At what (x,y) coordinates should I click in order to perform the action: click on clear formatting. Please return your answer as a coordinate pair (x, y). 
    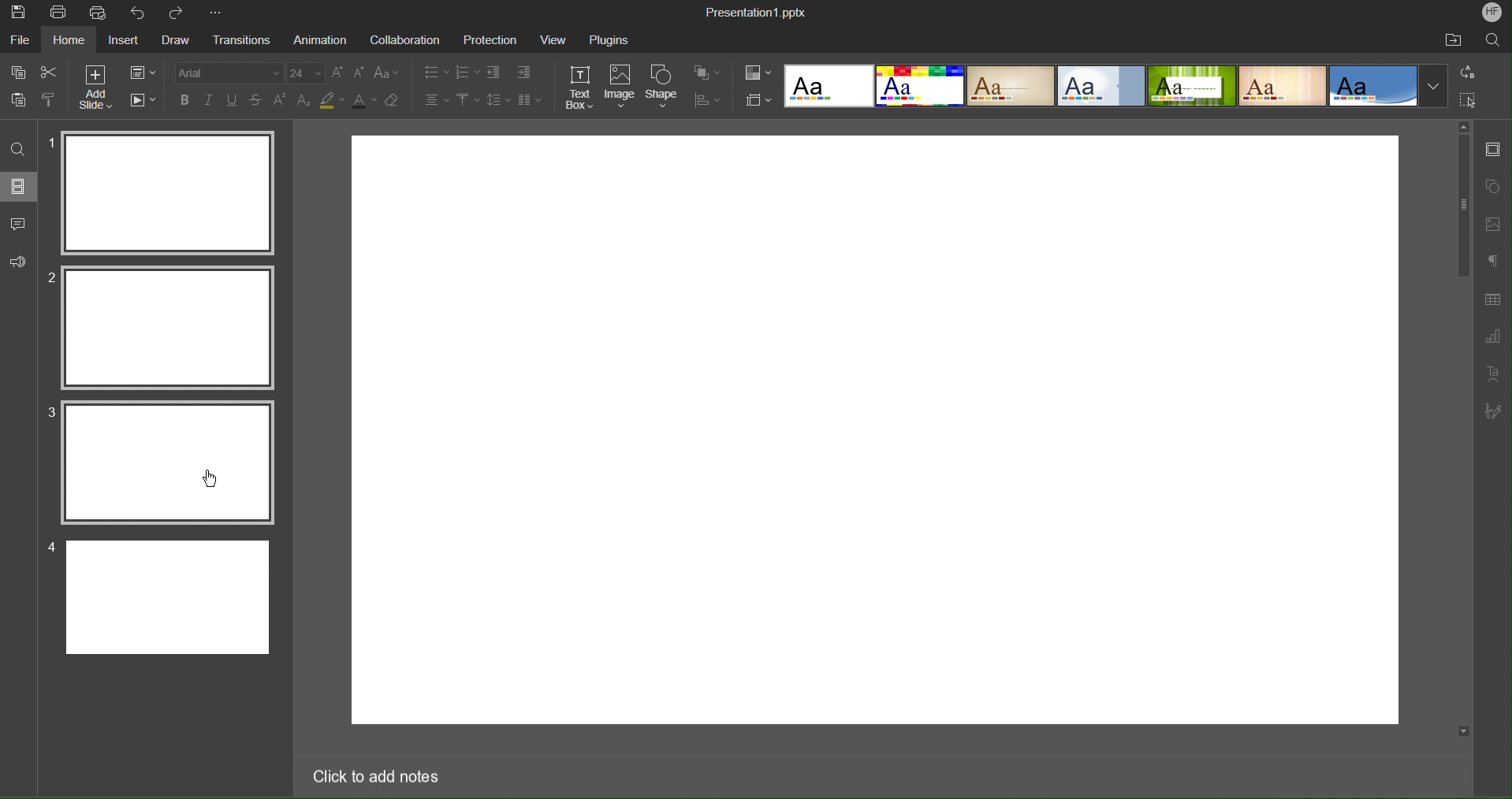
    Looking at the image, I should click on (393, 102).